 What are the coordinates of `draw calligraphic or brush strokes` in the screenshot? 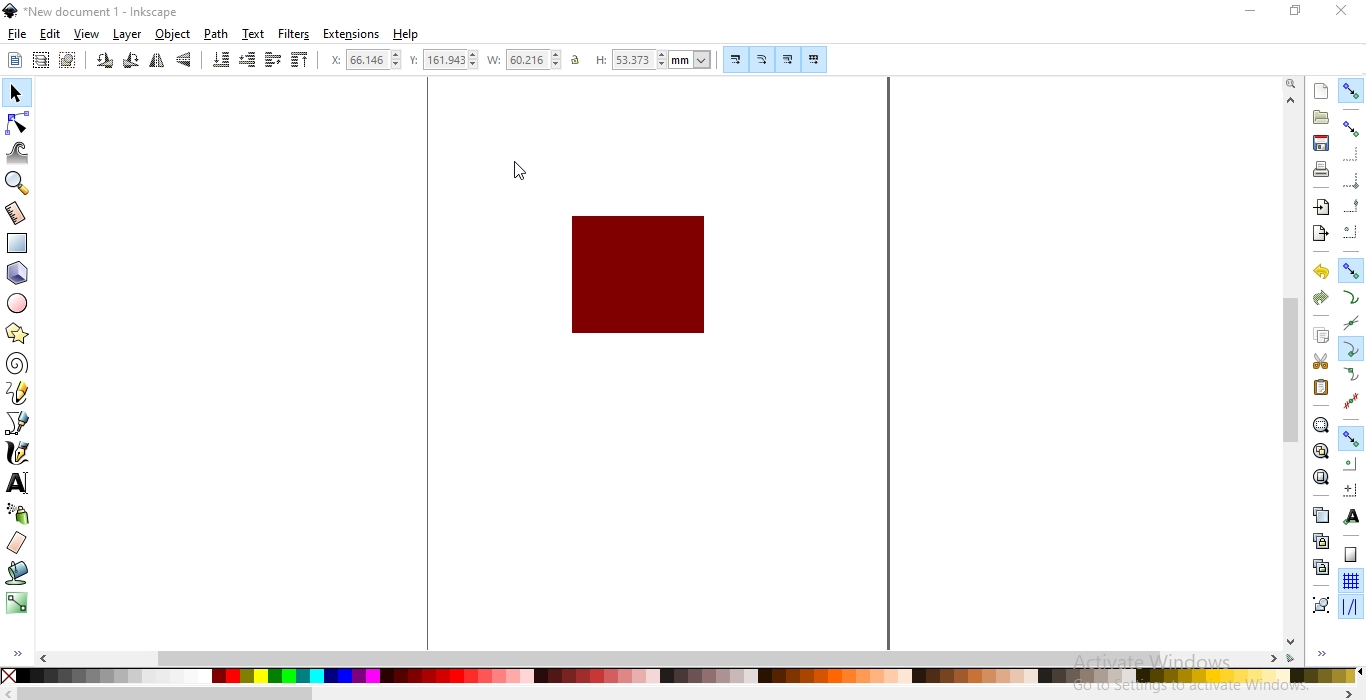 It's located at (16, 453).